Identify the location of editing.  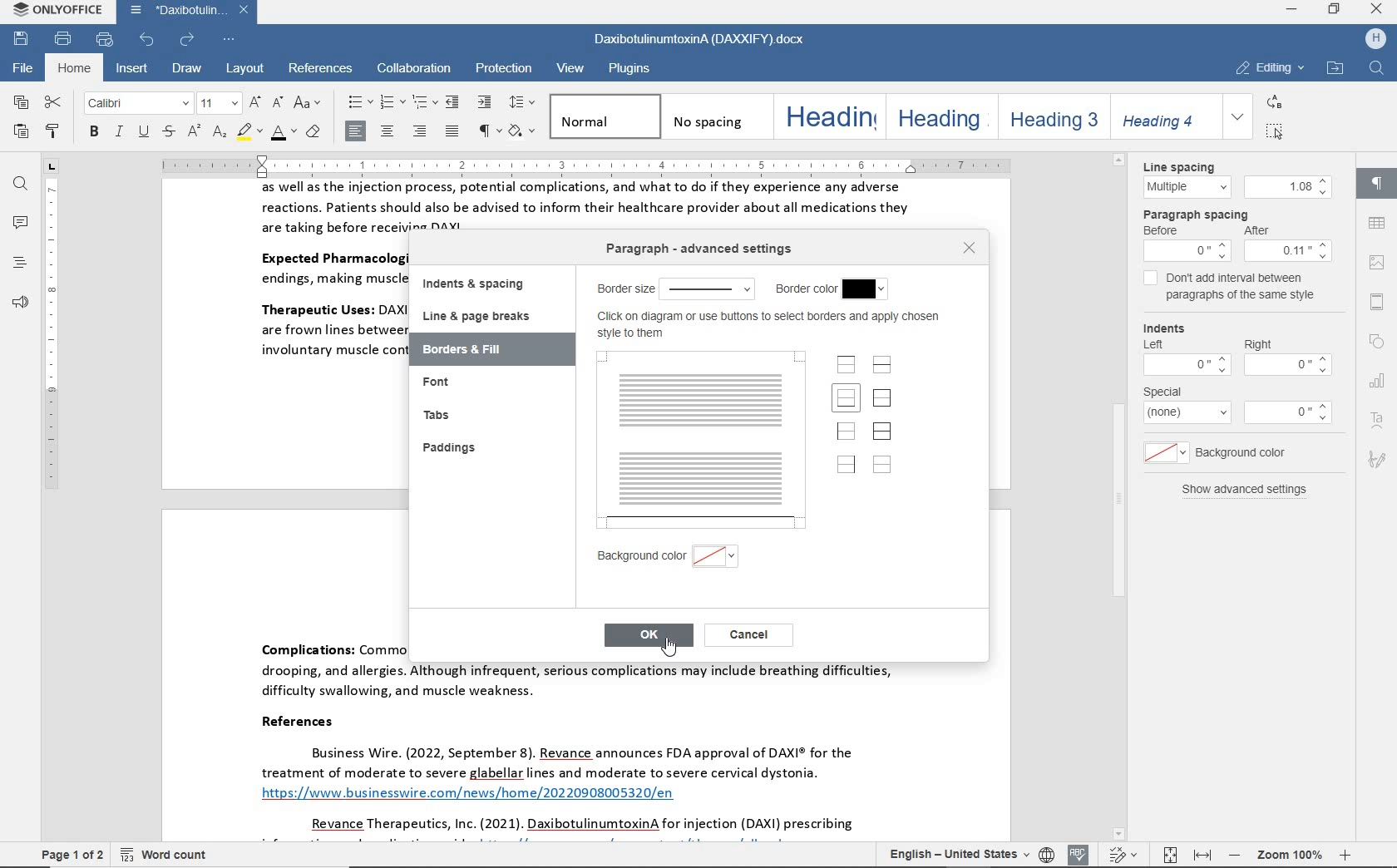
(1270, 68).